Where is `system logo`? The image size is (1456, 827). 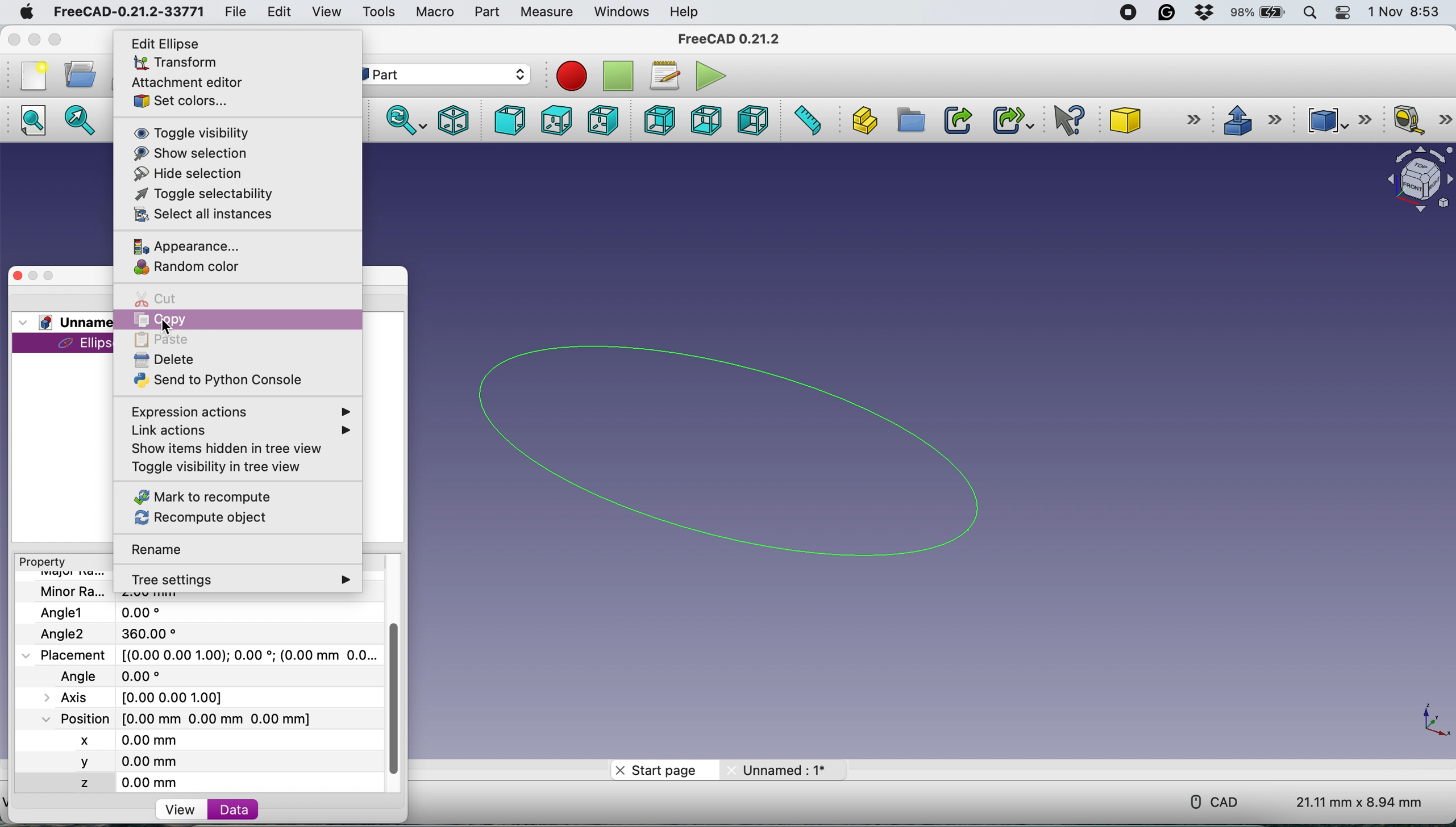 system logo is located at coordinates (28, 12).